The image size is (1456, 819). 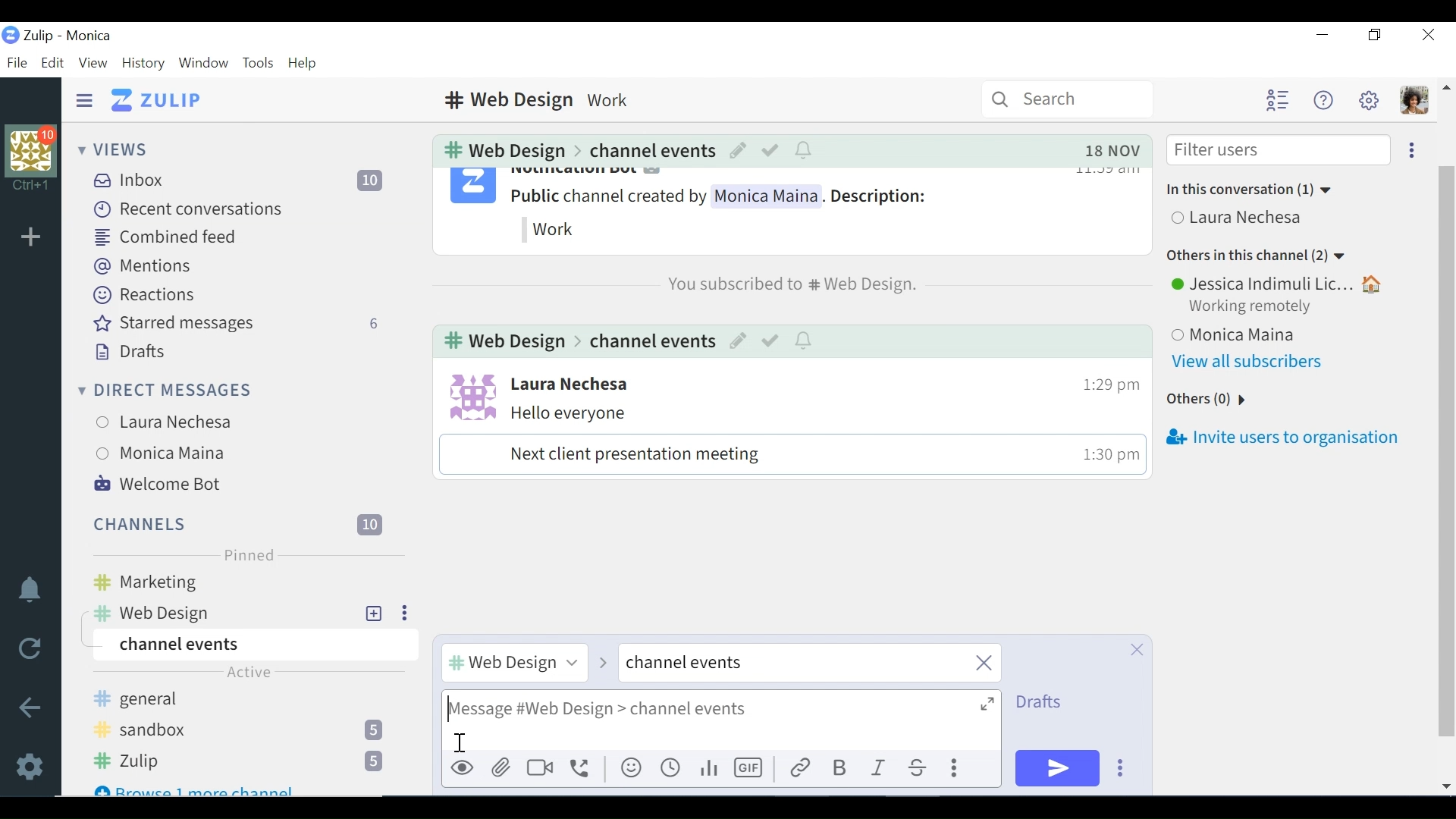 What do you see at coordinates (1413, 101) in the screenshot?
I see `Personal menu` at bounding box center [1413, 101].